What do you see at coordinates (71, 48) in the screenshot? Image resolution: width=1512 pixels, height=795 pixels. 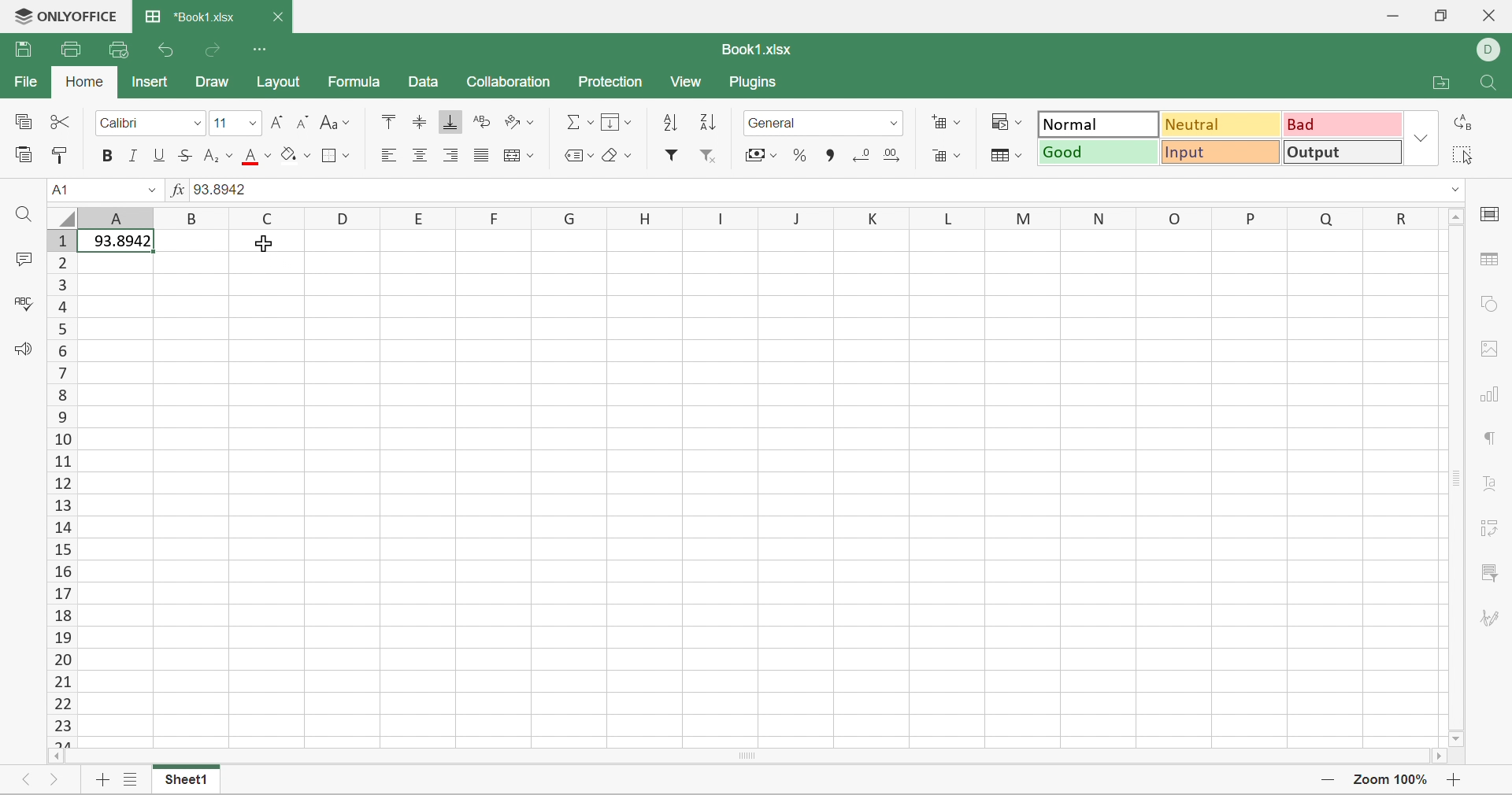 I see `Print` at bounding box center [71, 48].